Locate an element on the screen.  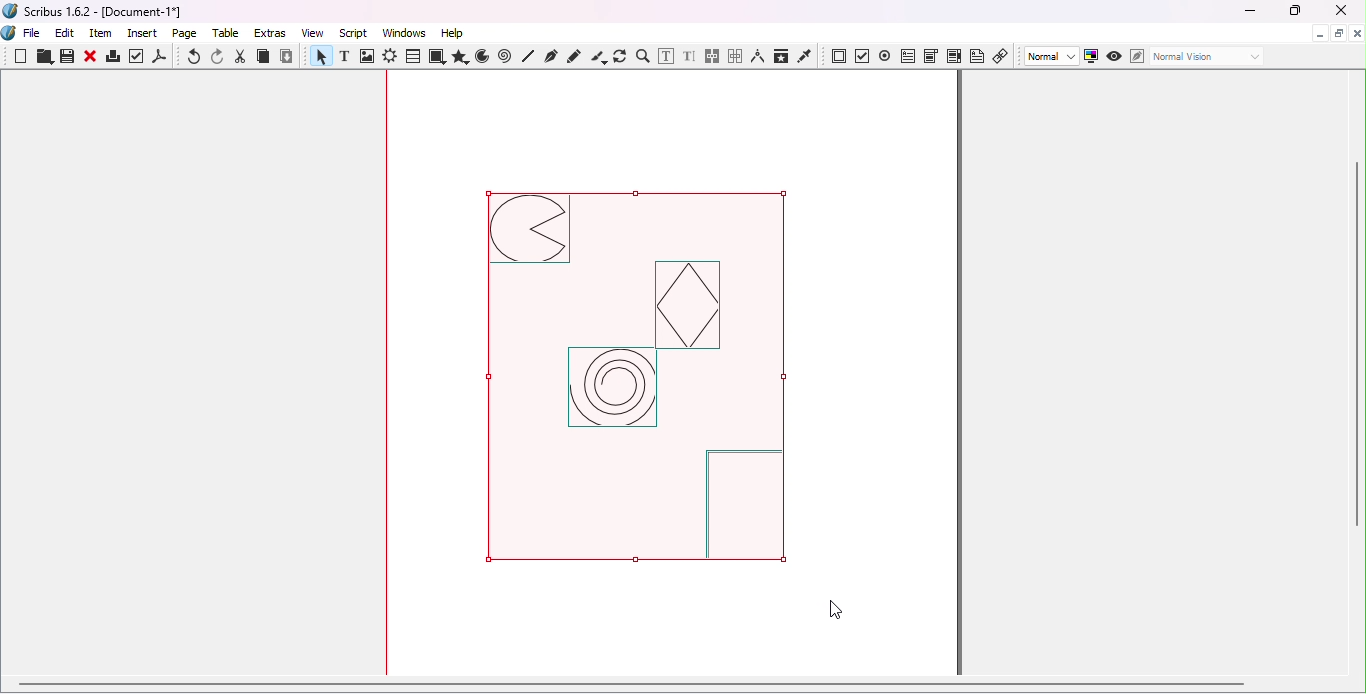
Item is located at coordinates (102, 34).